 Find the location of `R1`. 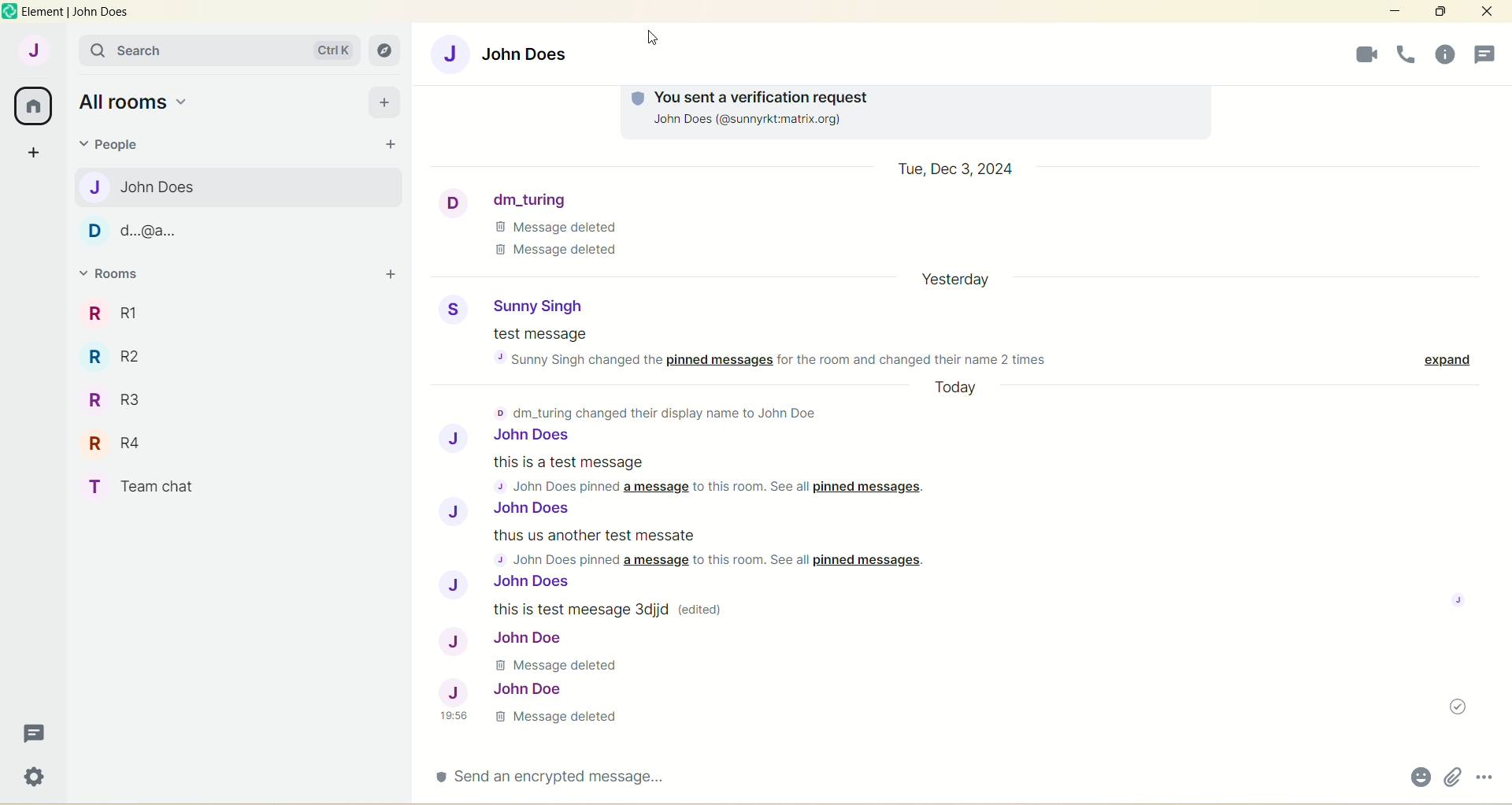

R1 is located at coordinates (136, 308).